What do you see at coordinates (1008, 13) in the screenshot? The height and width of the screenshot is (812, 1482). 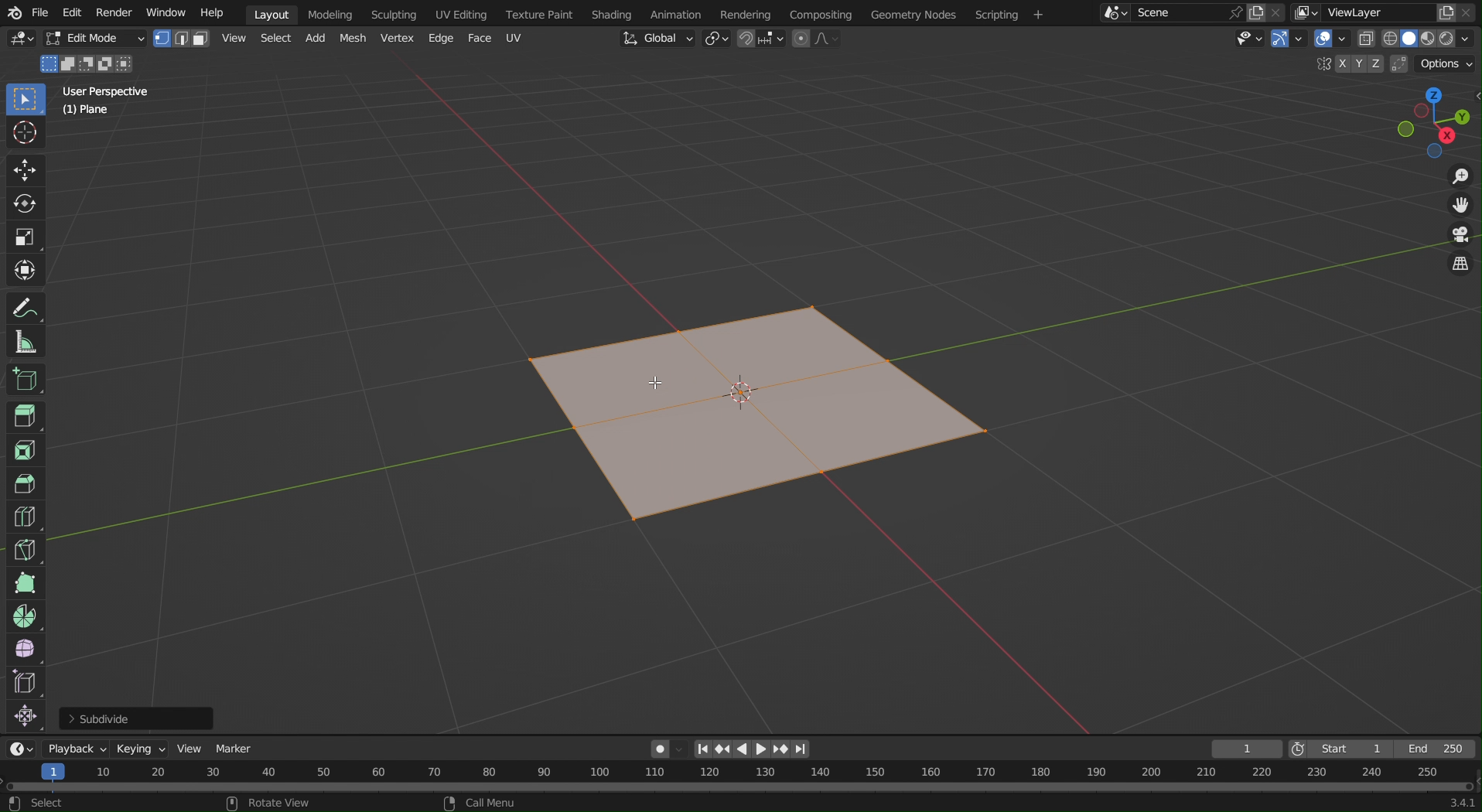 I see `Scripting` at bounding box center [1008, 13].